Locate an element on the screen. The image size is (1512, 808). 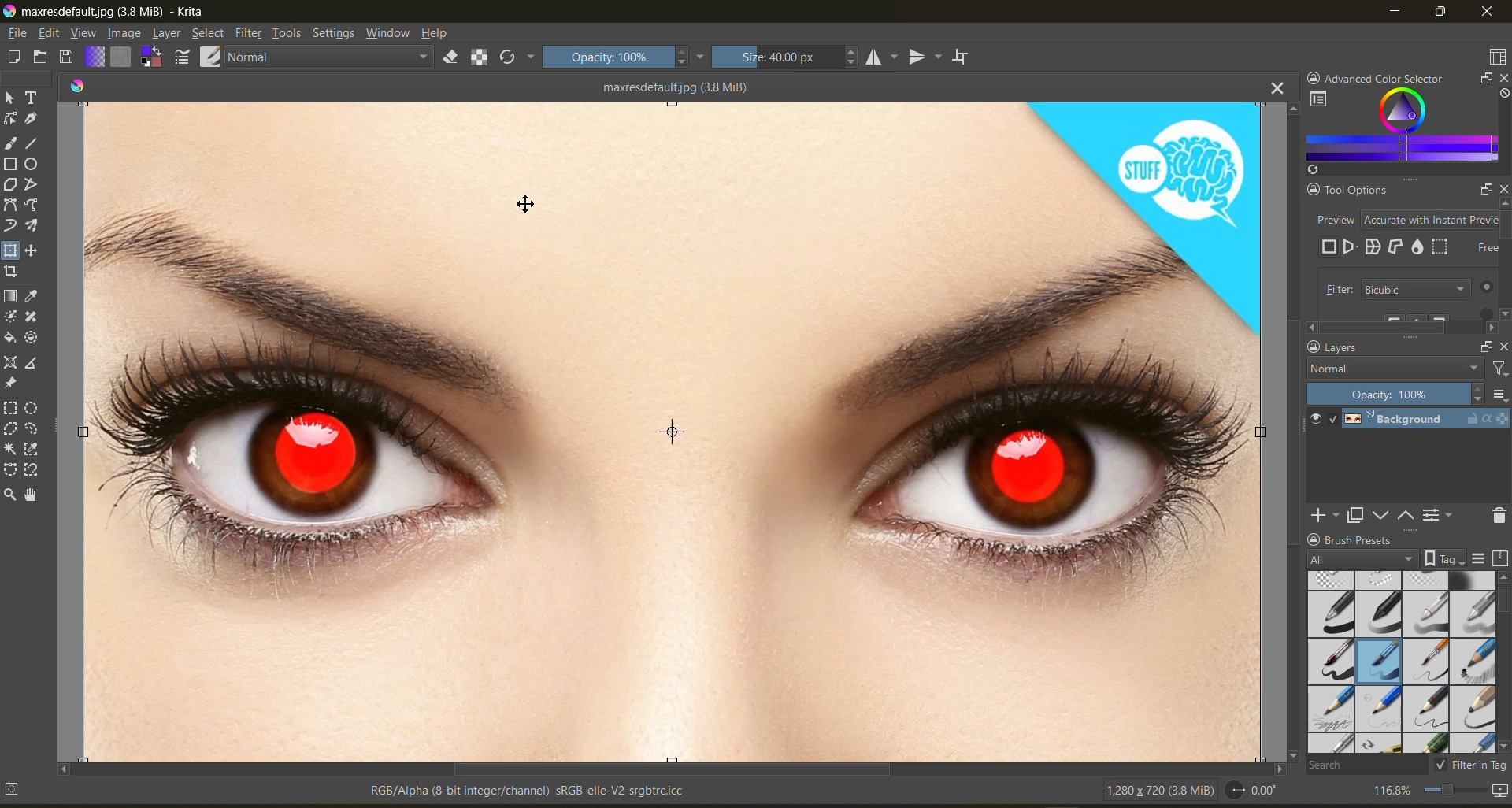
metadata is located at coordinates (349, 790).